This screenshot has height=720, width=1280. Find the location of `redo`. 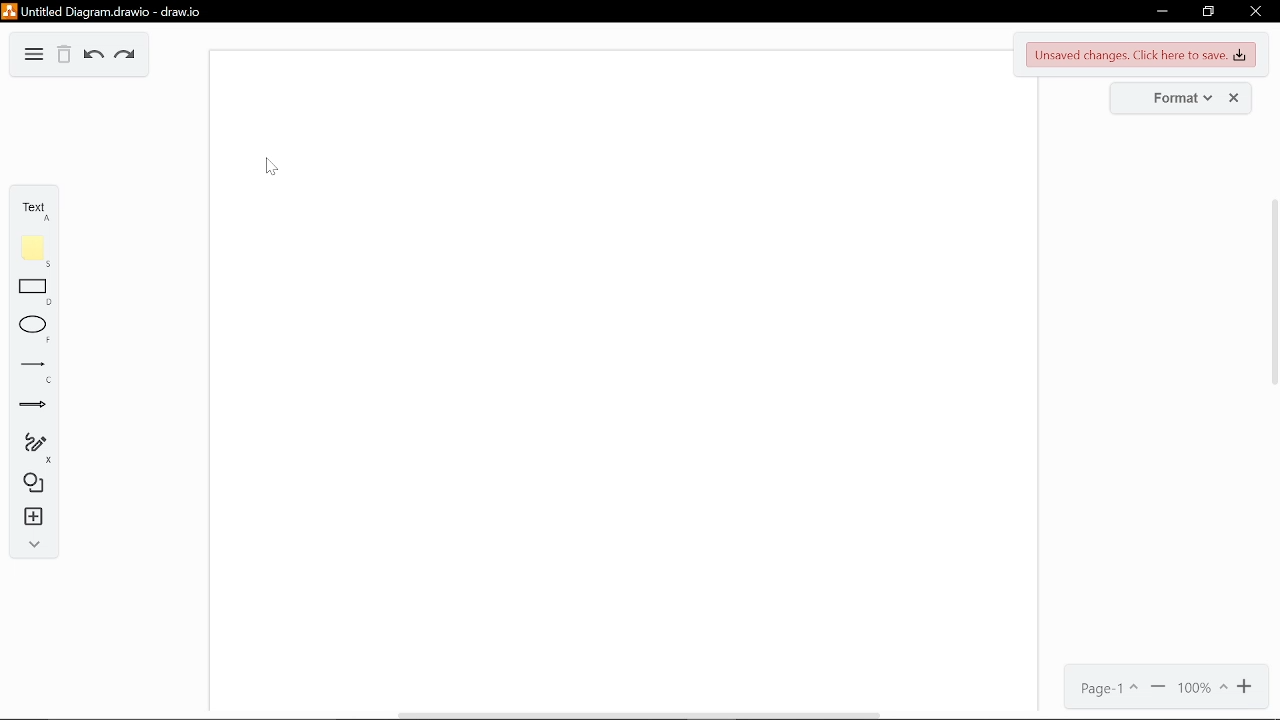

redo is located at coordinates (126, 57).